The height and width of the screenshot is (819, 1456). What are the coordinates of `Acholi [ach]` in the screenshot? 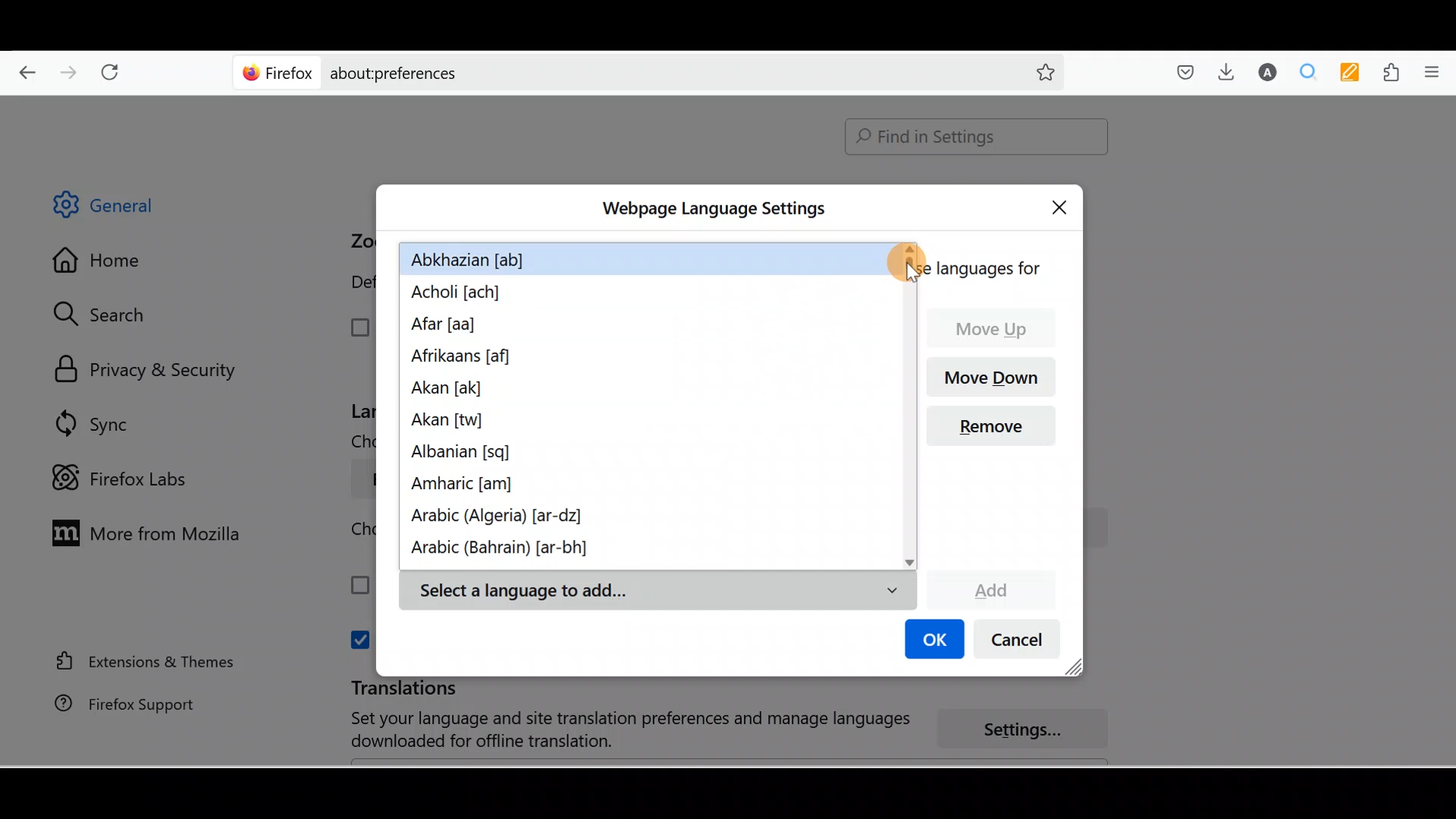 It's located at (460, 293).